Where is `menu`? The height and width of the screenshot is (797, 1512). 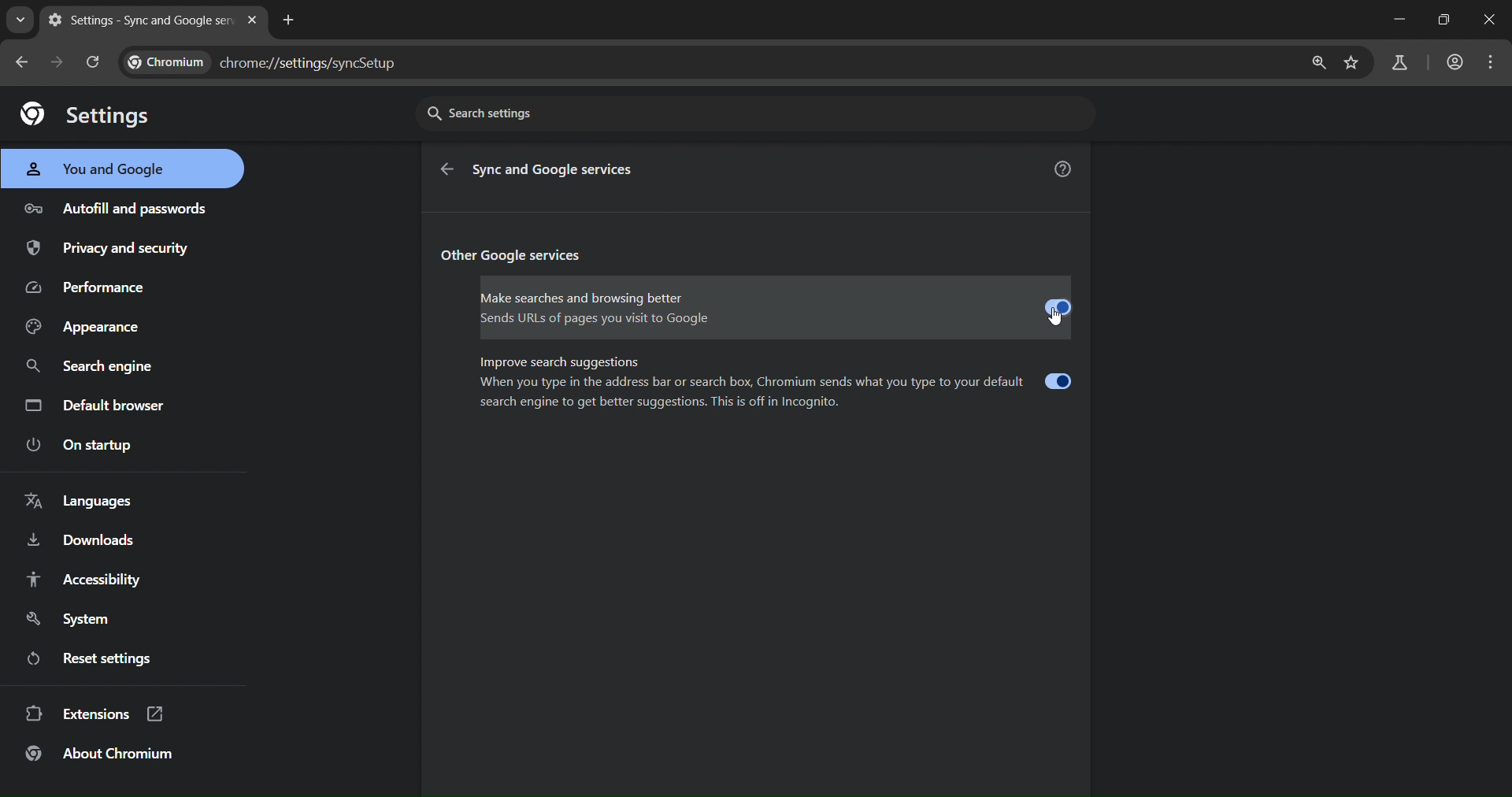
menu is located at coordinates (1492, 60).